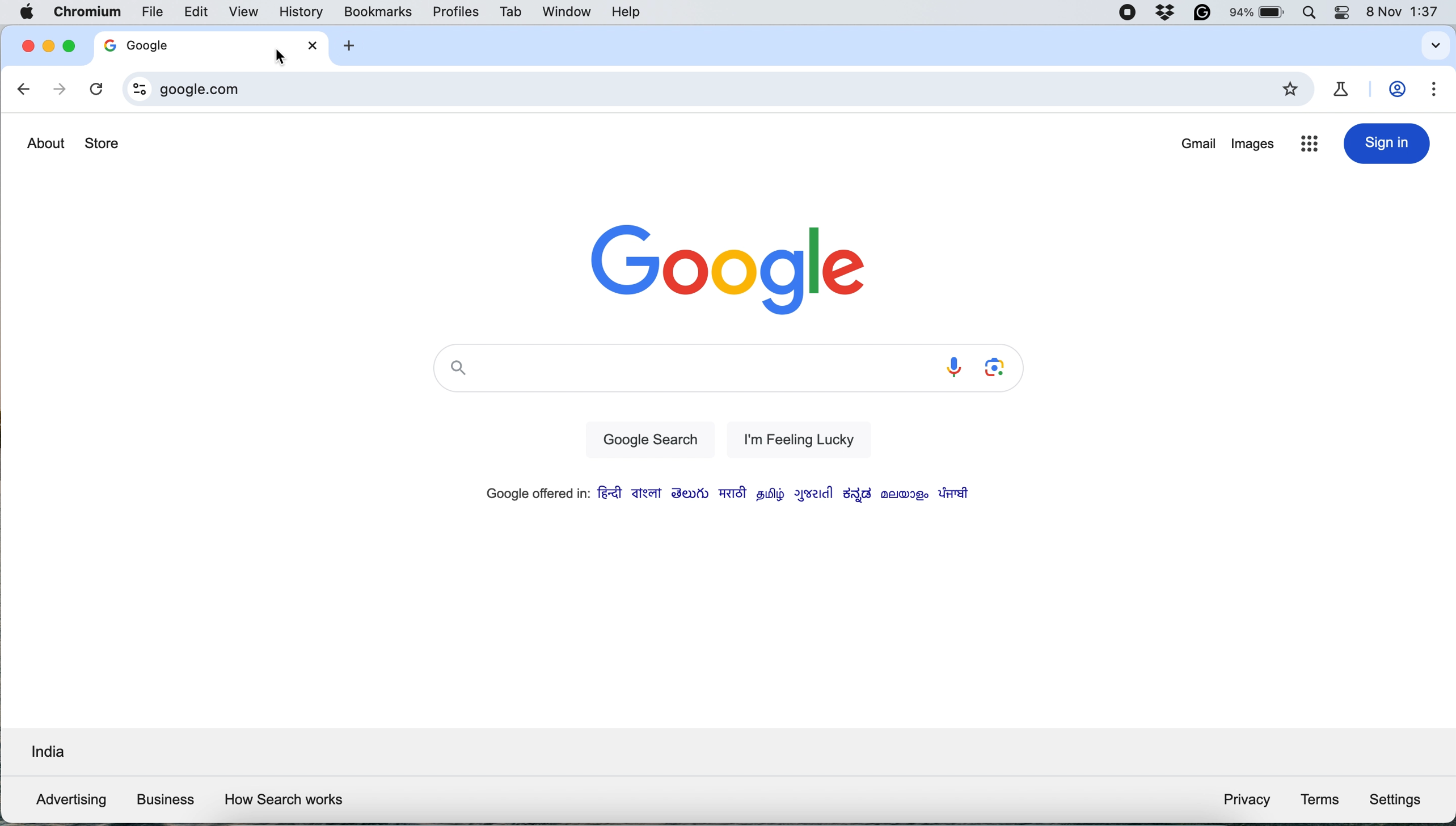 The width and height of the screenshot is (1456, 826). I want to click on screen recorder, so click(1128, 14).